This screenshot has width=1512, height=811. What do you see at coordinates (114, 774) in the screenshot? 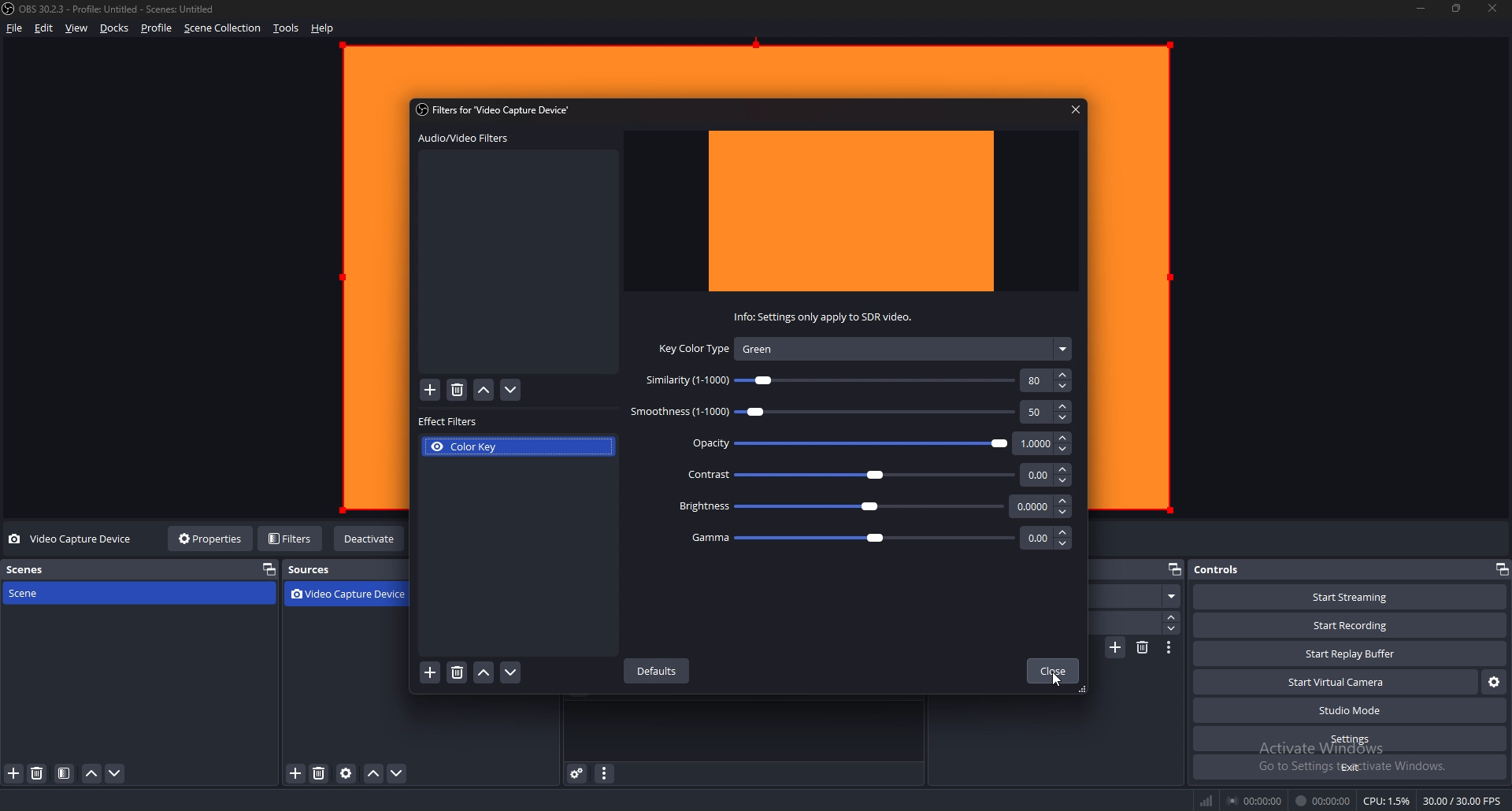
I see `move scene down` at bounding box center [114, 774].